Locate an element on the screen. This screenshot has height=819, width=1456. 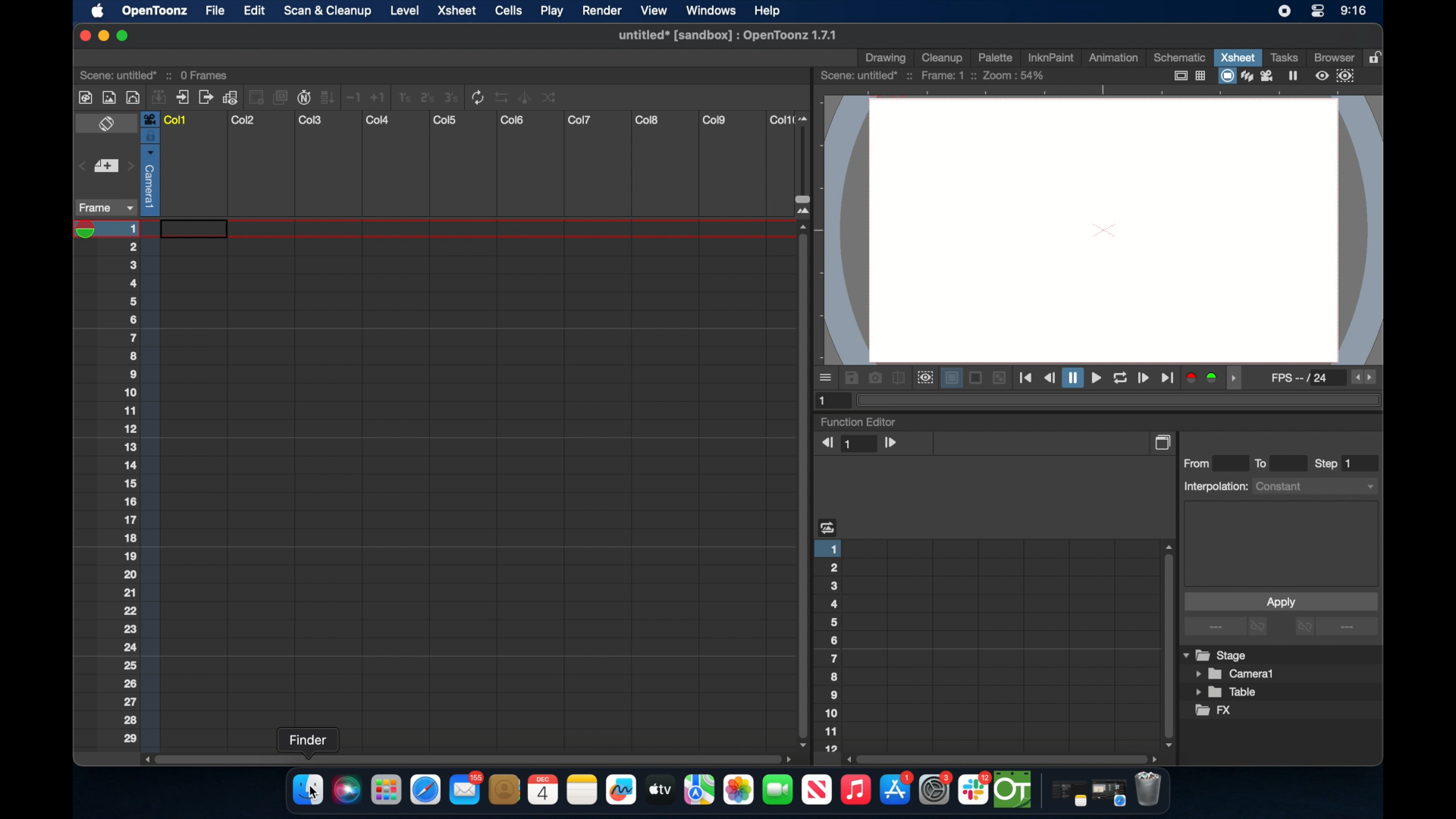
from is located at coordinates (1200, 463).